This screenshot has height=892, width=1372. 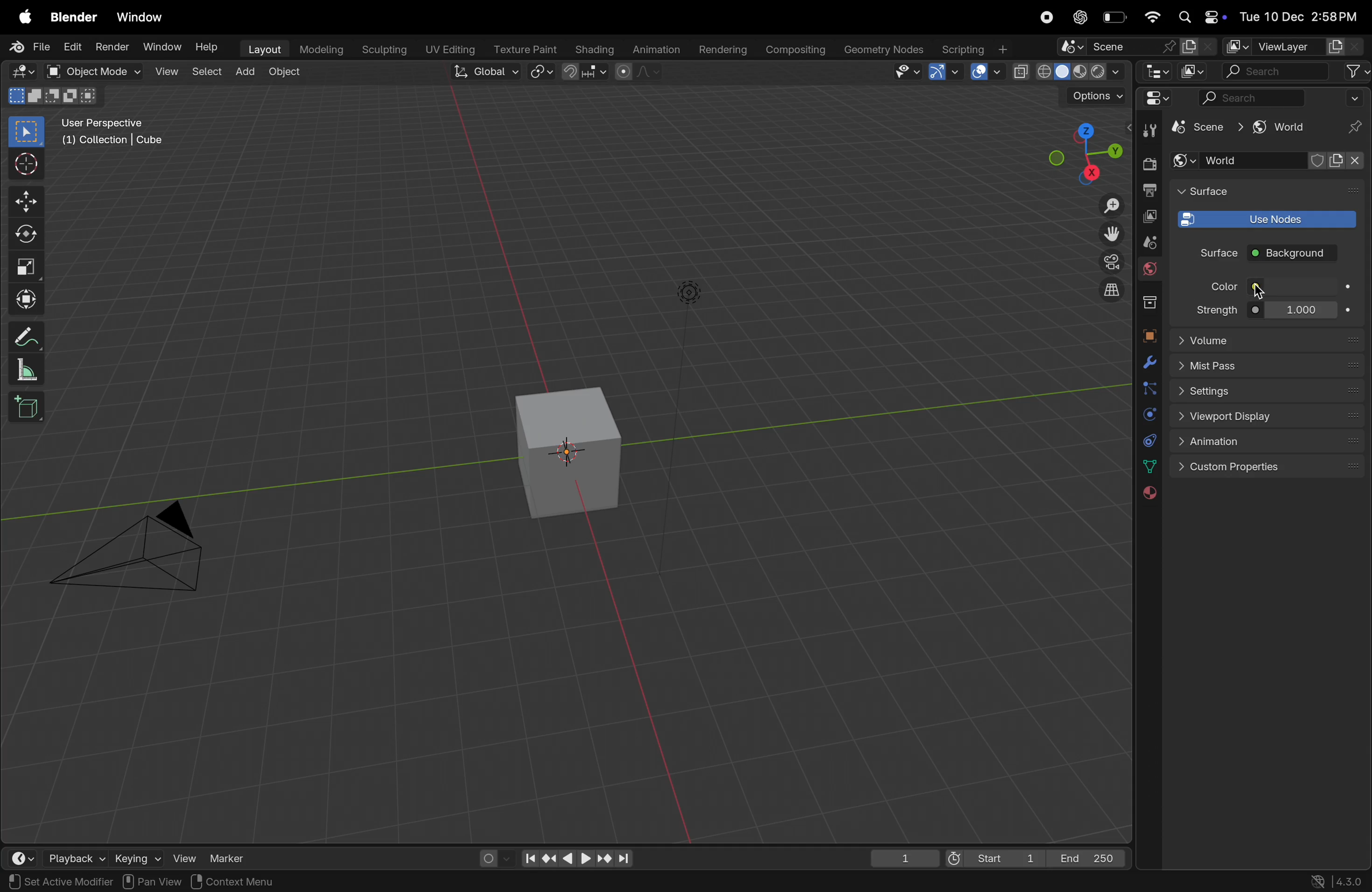 What do you see at coordinates (1268, 442) in the screenshot?
I see `Animation` at bounding box center [1268, 442].